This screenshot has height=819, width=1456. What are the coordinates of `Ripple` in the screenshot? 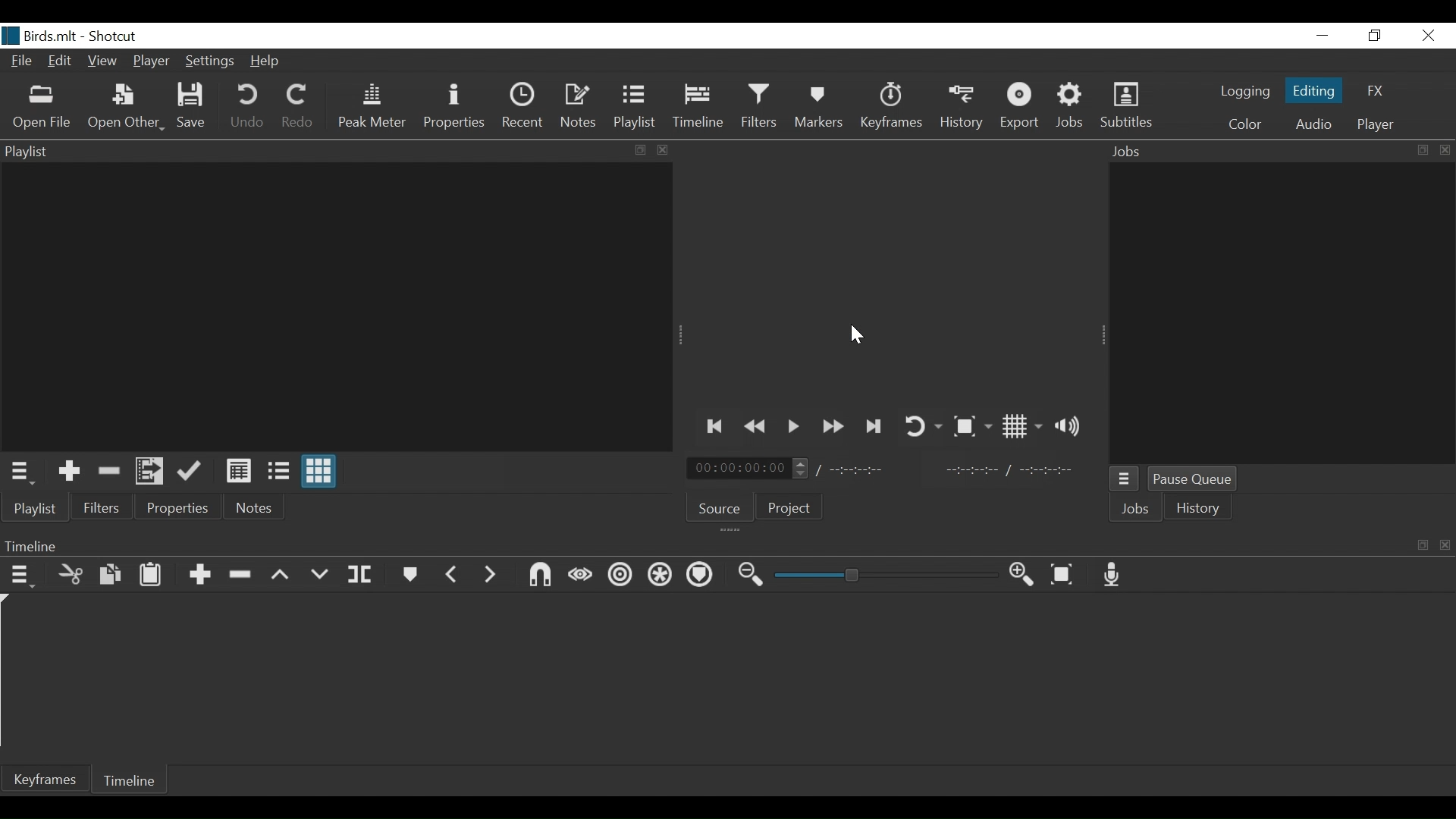 It's located at (620, 578).